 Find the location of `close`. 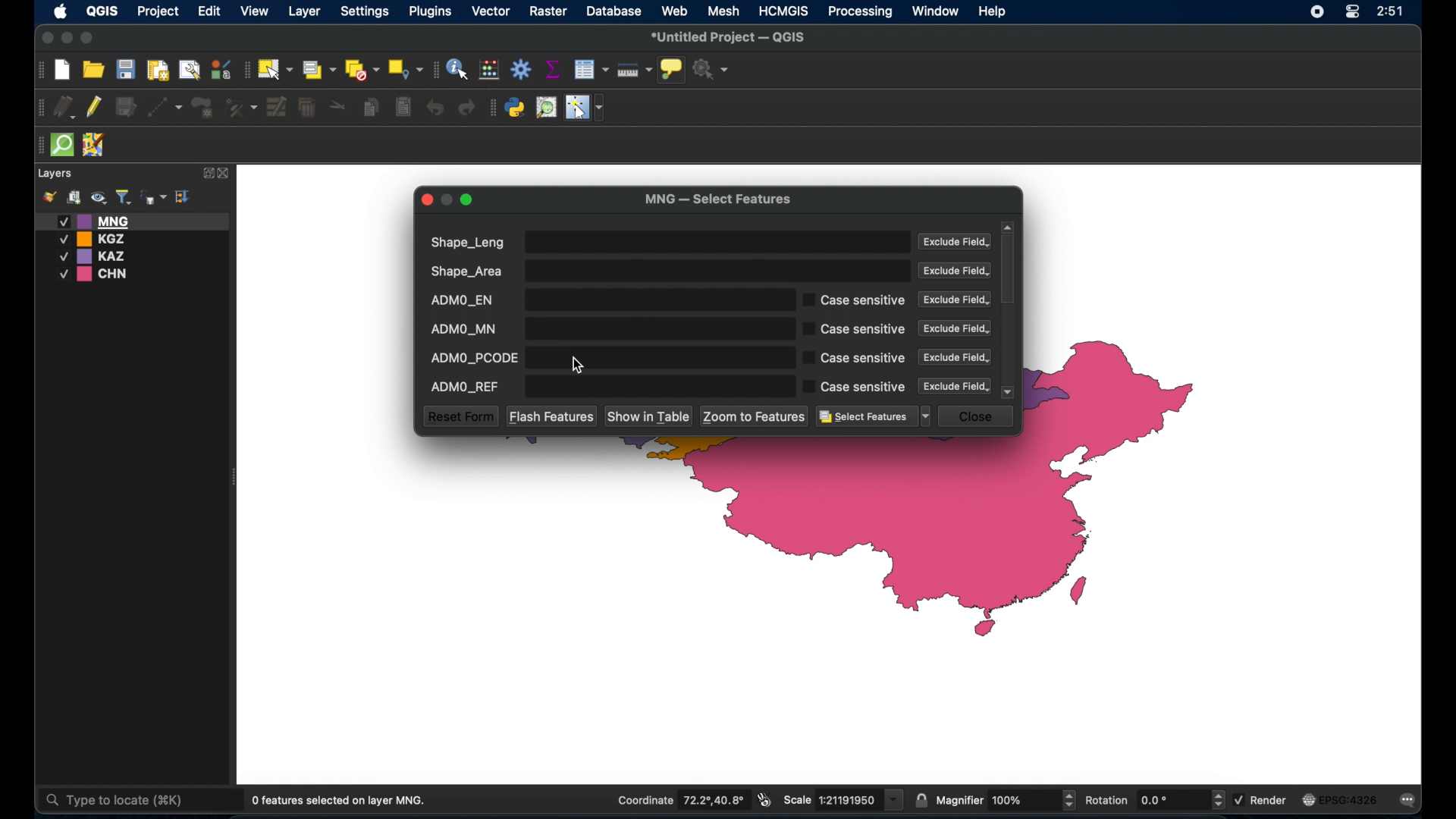

close is located at coordinates (427, 199).